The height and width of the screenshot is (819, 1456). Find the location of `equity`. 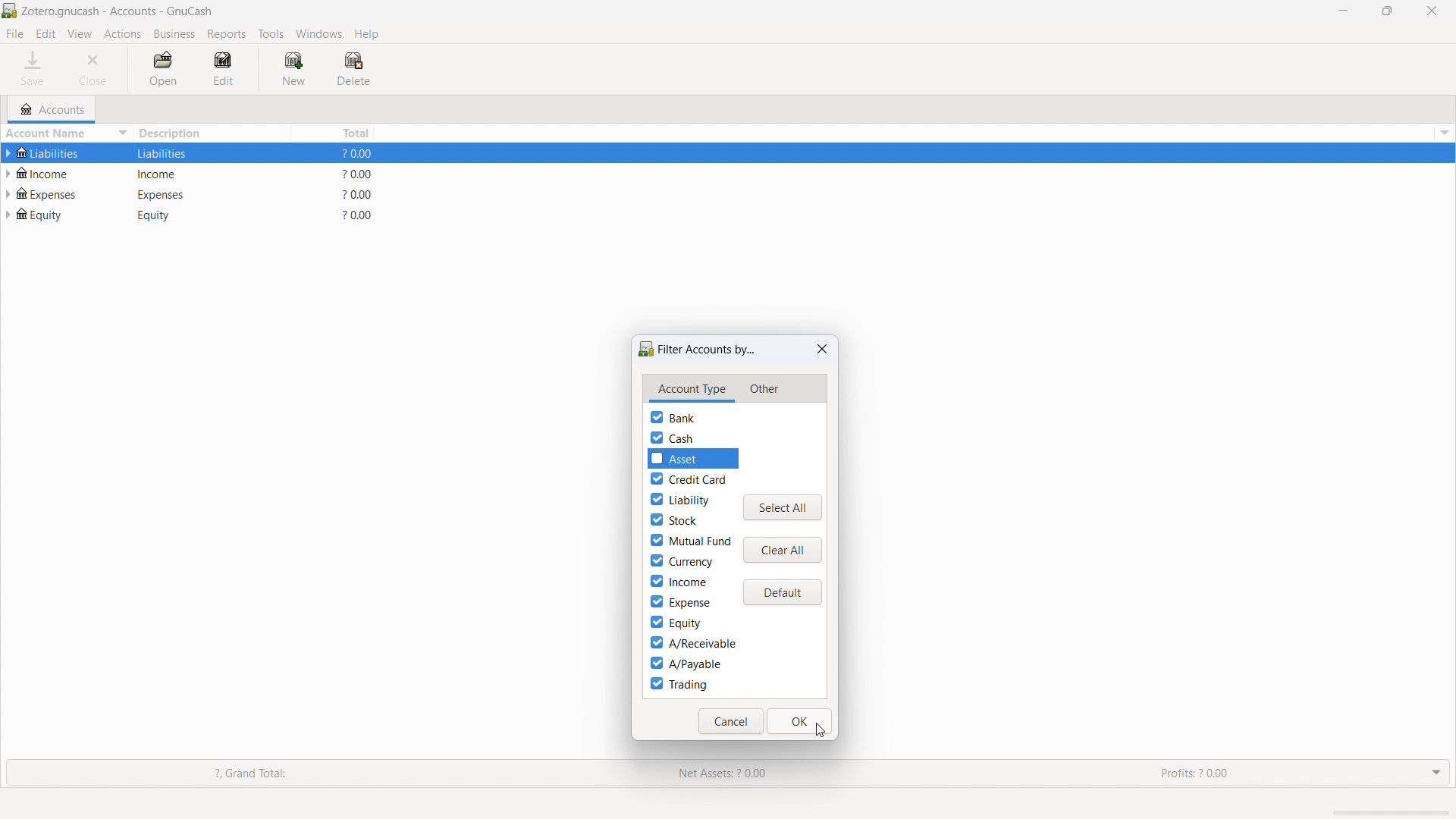

equity is located at coordinates (171, 215).